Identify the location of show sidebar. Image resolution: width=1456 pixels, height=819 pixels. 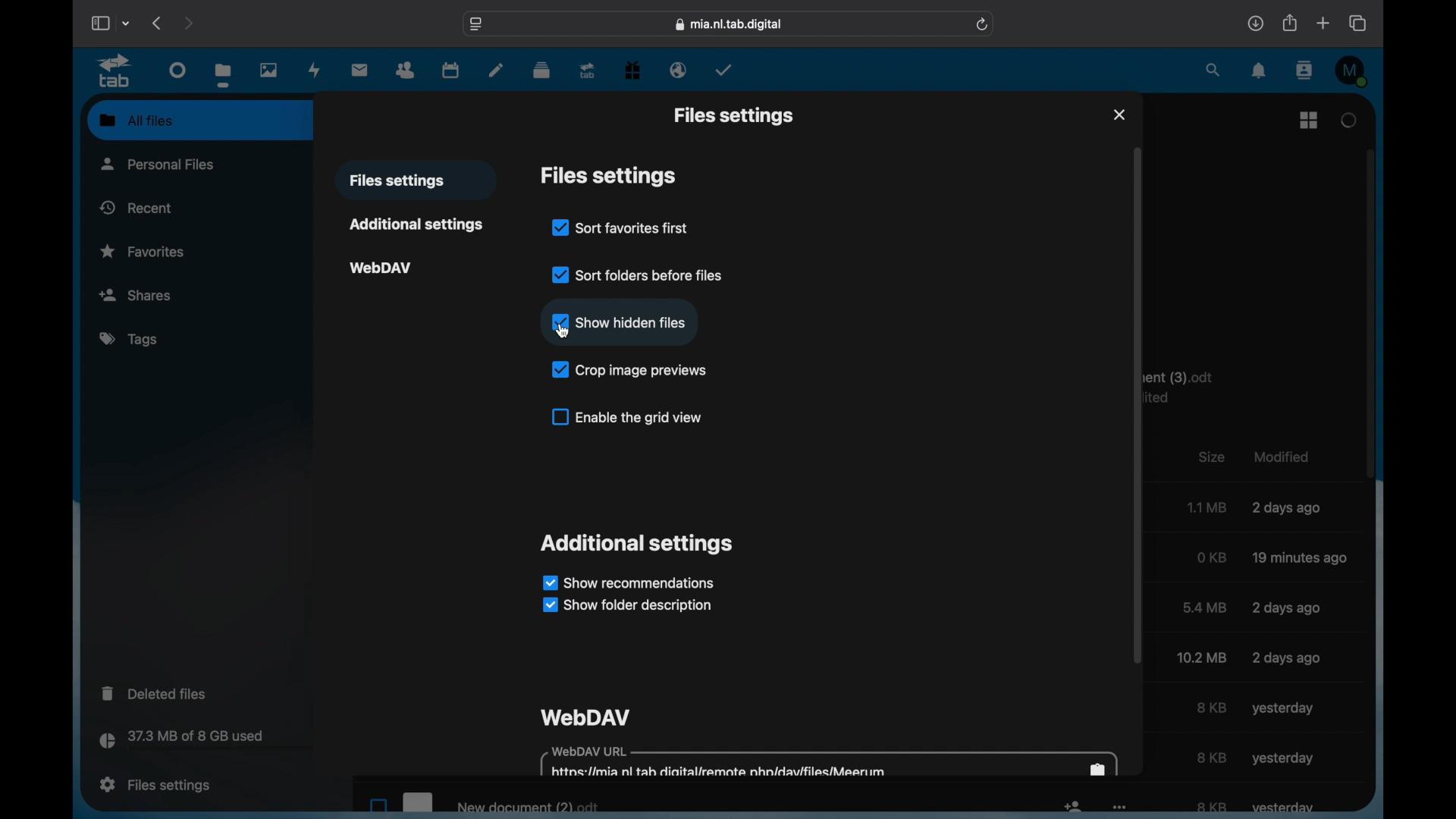
(99, 23).